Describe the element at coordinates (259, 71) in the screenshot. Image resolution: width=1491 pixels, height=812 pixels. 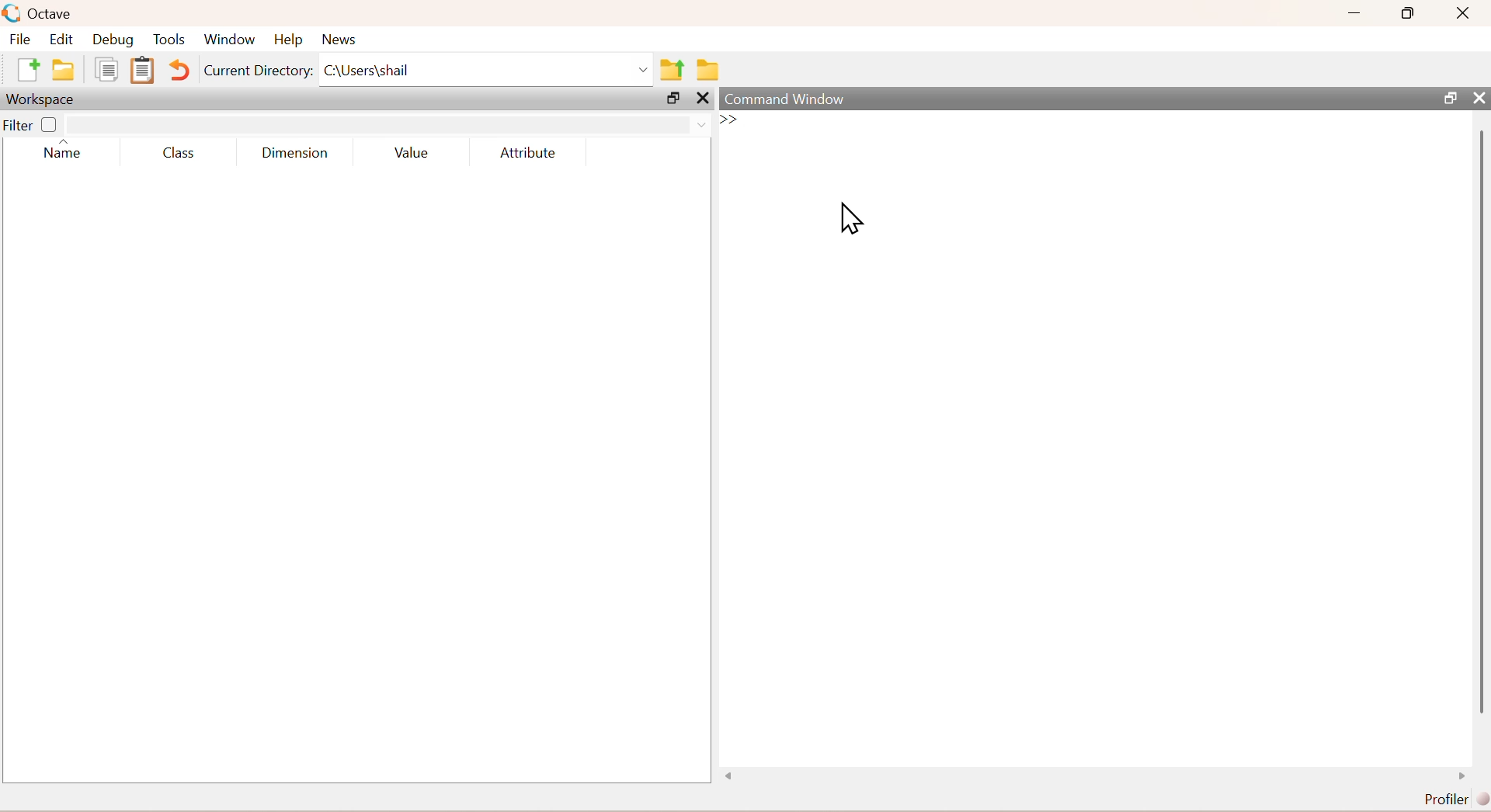
I see `Current Directory:` at that location.